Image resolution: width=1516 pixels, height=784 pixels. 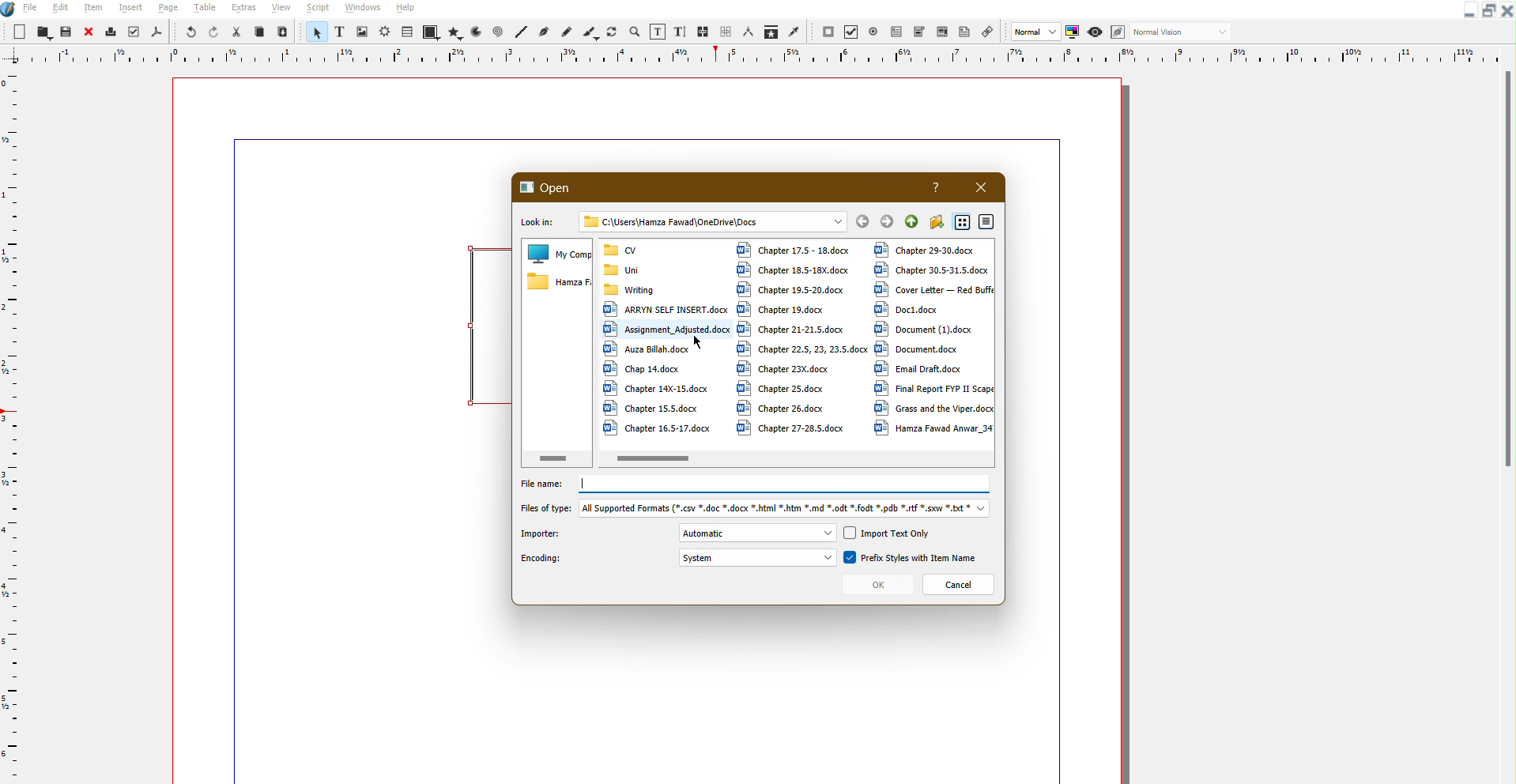 I want to click on Page, so click(x=171, y=10).